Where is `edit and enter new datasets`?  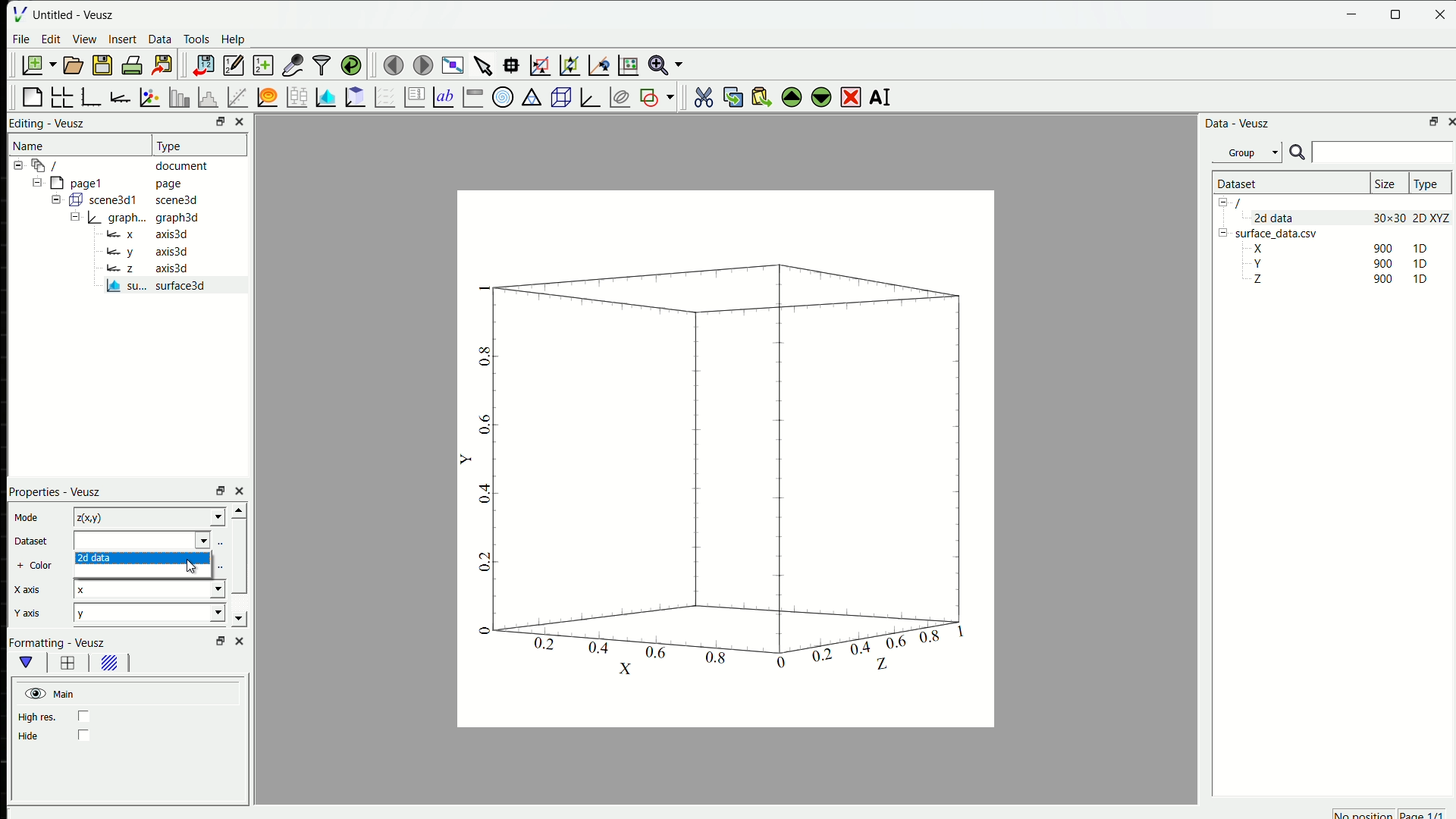
edit and enter new datasets is located at coordinates (234, 64).